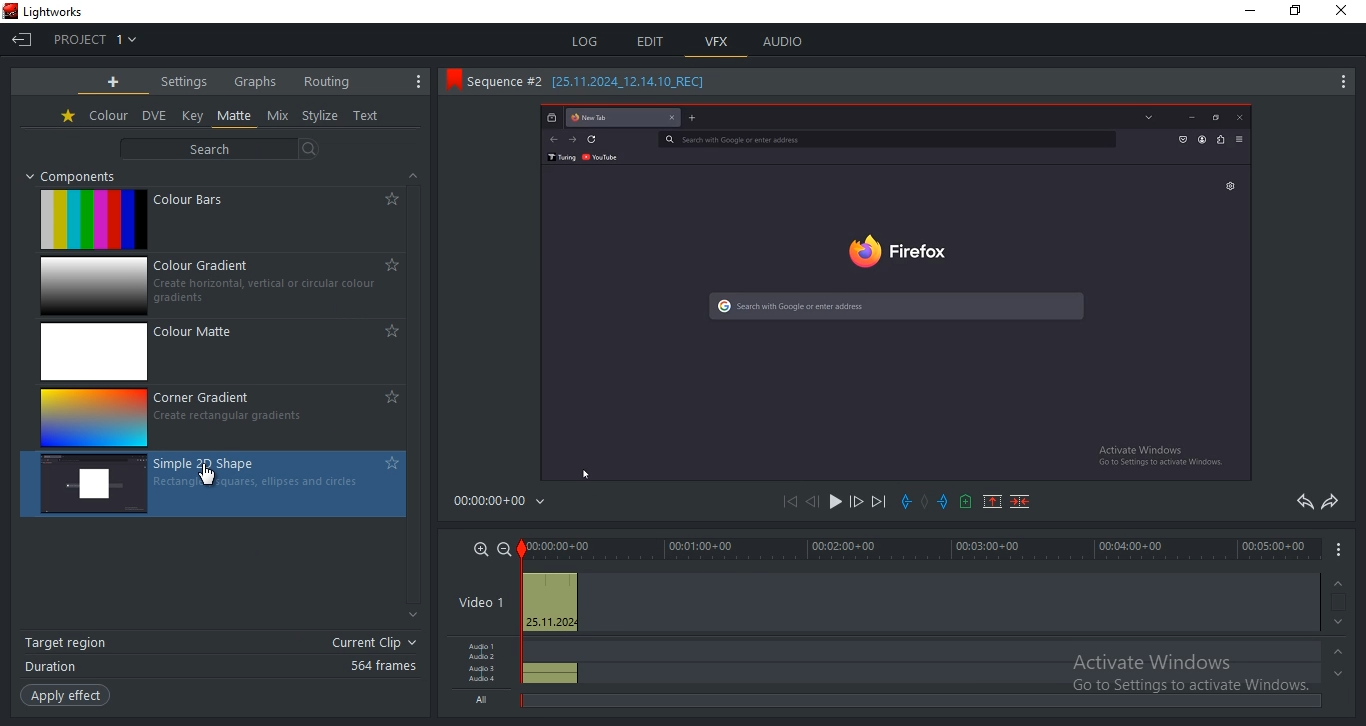 The width and height of the screenshot is (1366, 726). Describe the element at coordinates (652, 41) in the screenshot. I see `edit` at that location.